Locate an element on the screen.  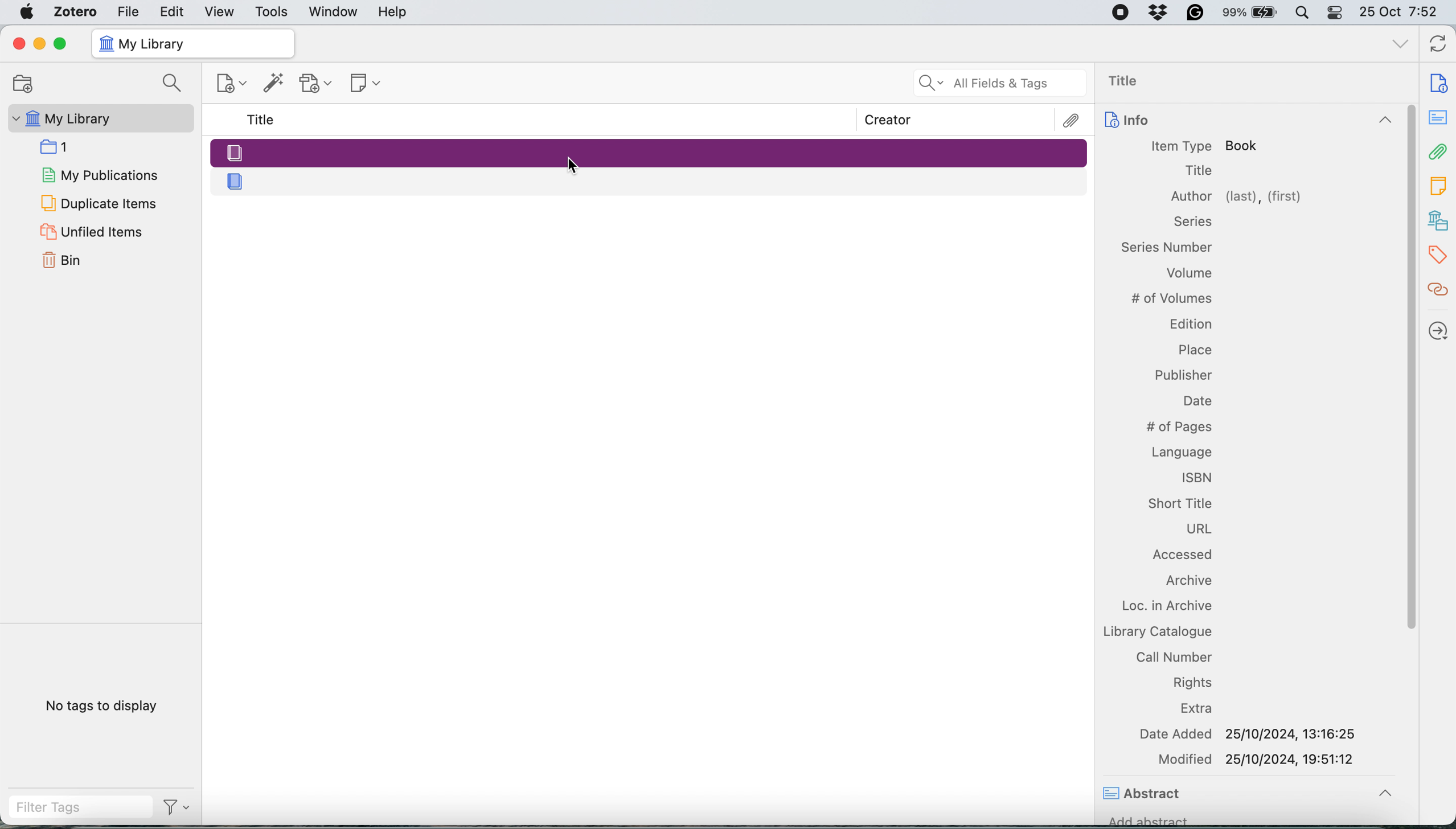
Bin is located at coordinates (76, 258).